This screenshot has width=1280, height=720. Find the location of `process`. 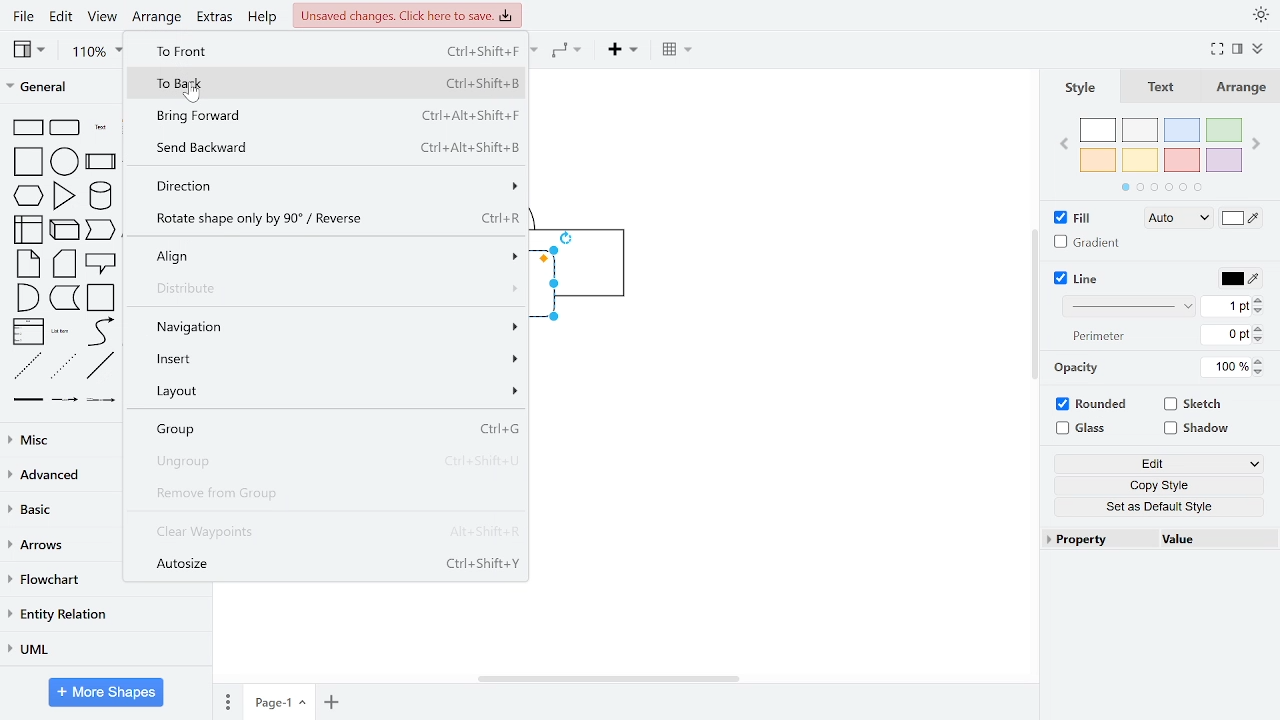

process is located at coordinates (100, 163).